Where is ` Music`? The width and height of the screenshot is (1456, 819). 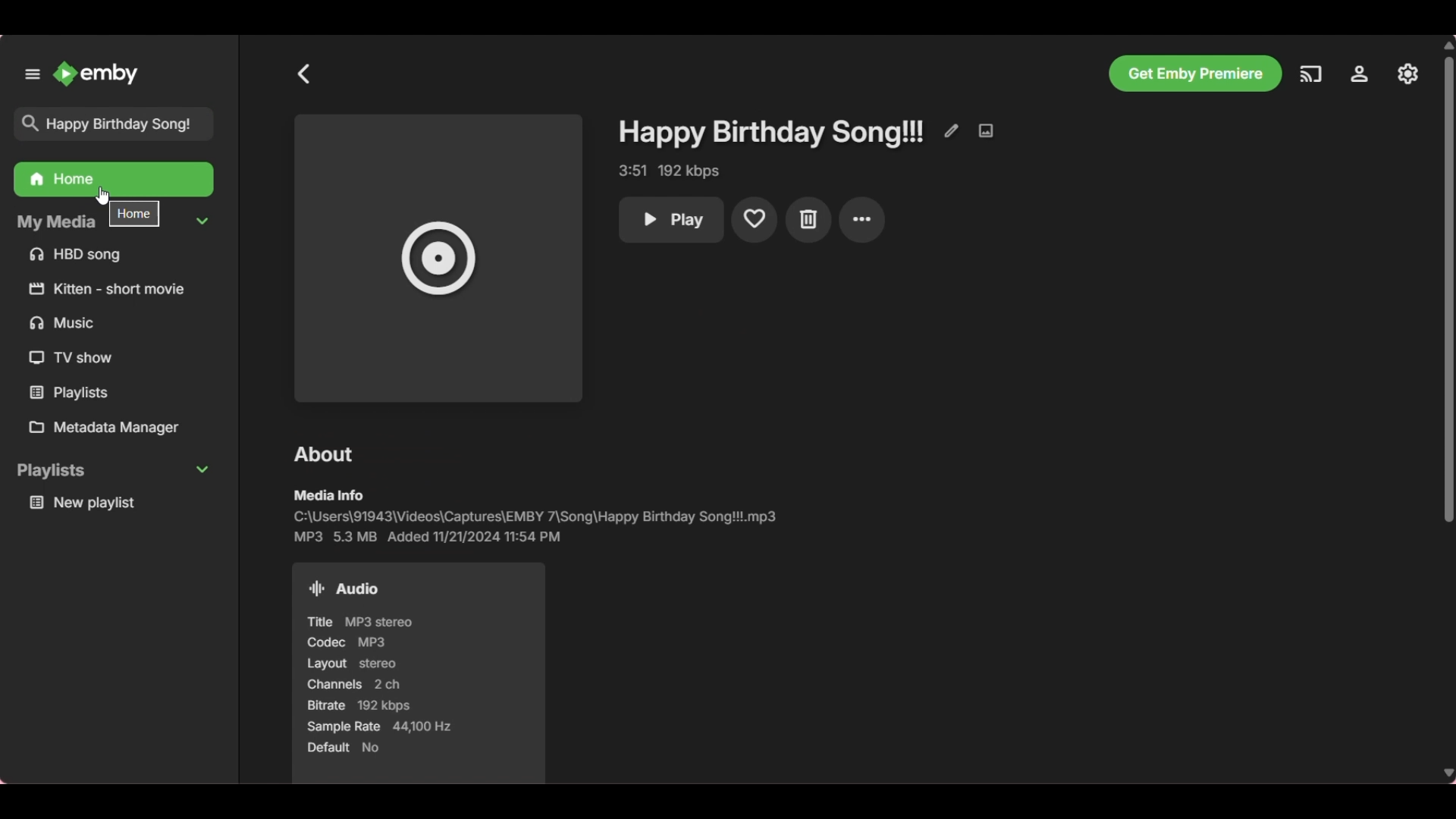
 Music is located at coordinates (69, 324).